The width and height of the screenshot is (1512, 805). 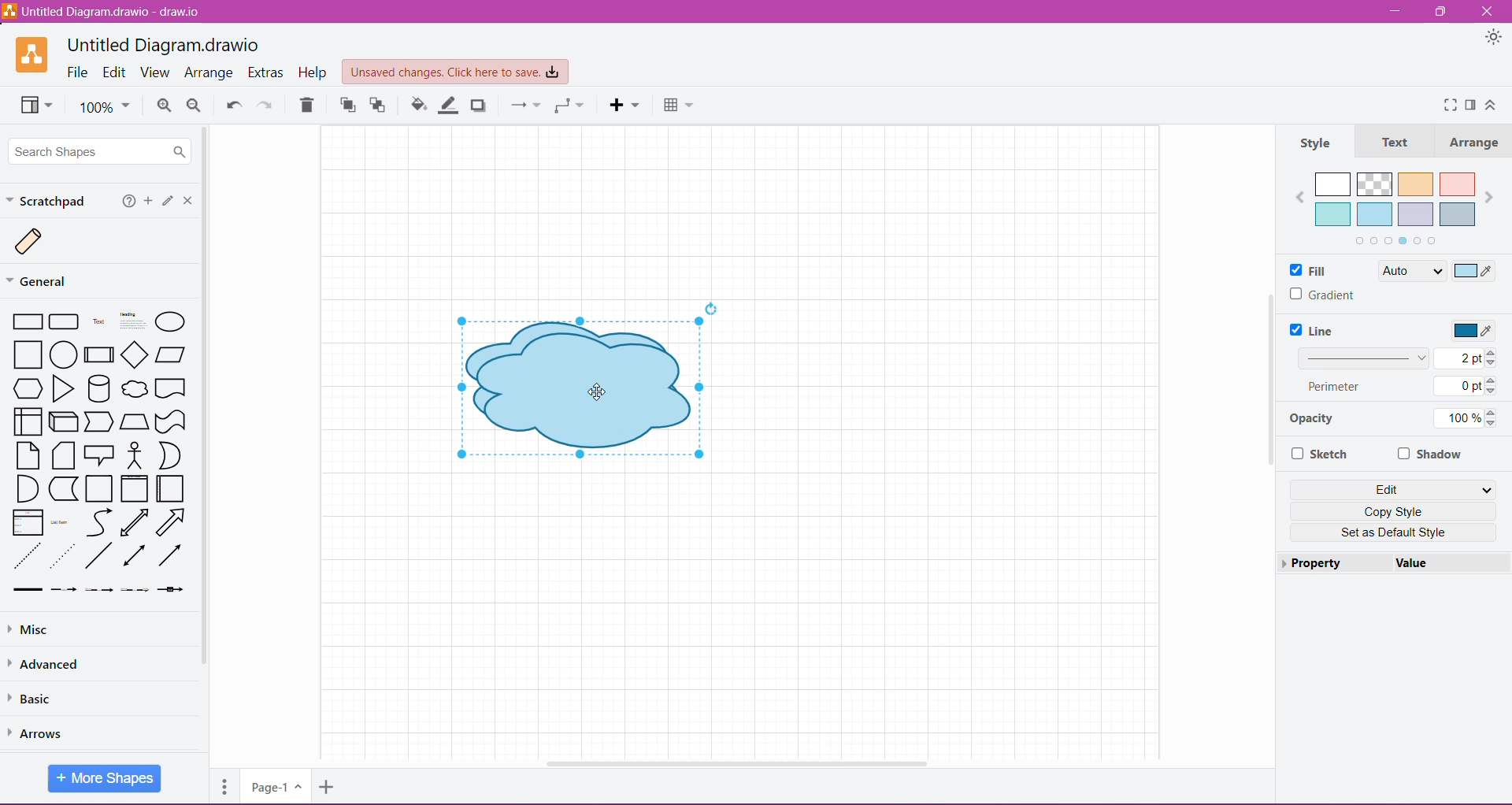 I want to click on Available Shapes, so click(x=104, y=454).